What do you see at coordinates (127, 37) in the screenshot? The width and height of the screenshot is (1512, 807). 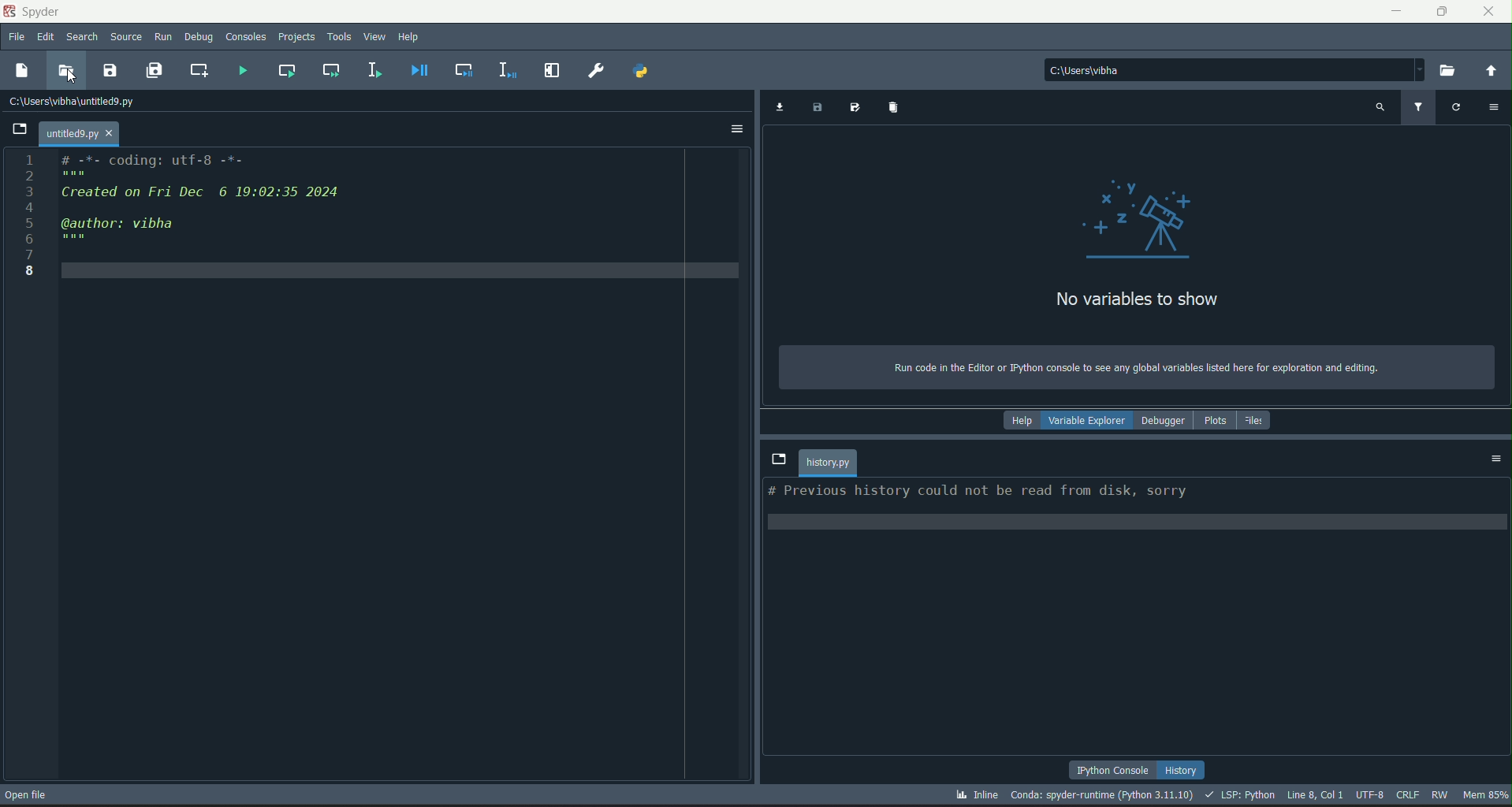 I see `source` at bounding box center [127, 37].